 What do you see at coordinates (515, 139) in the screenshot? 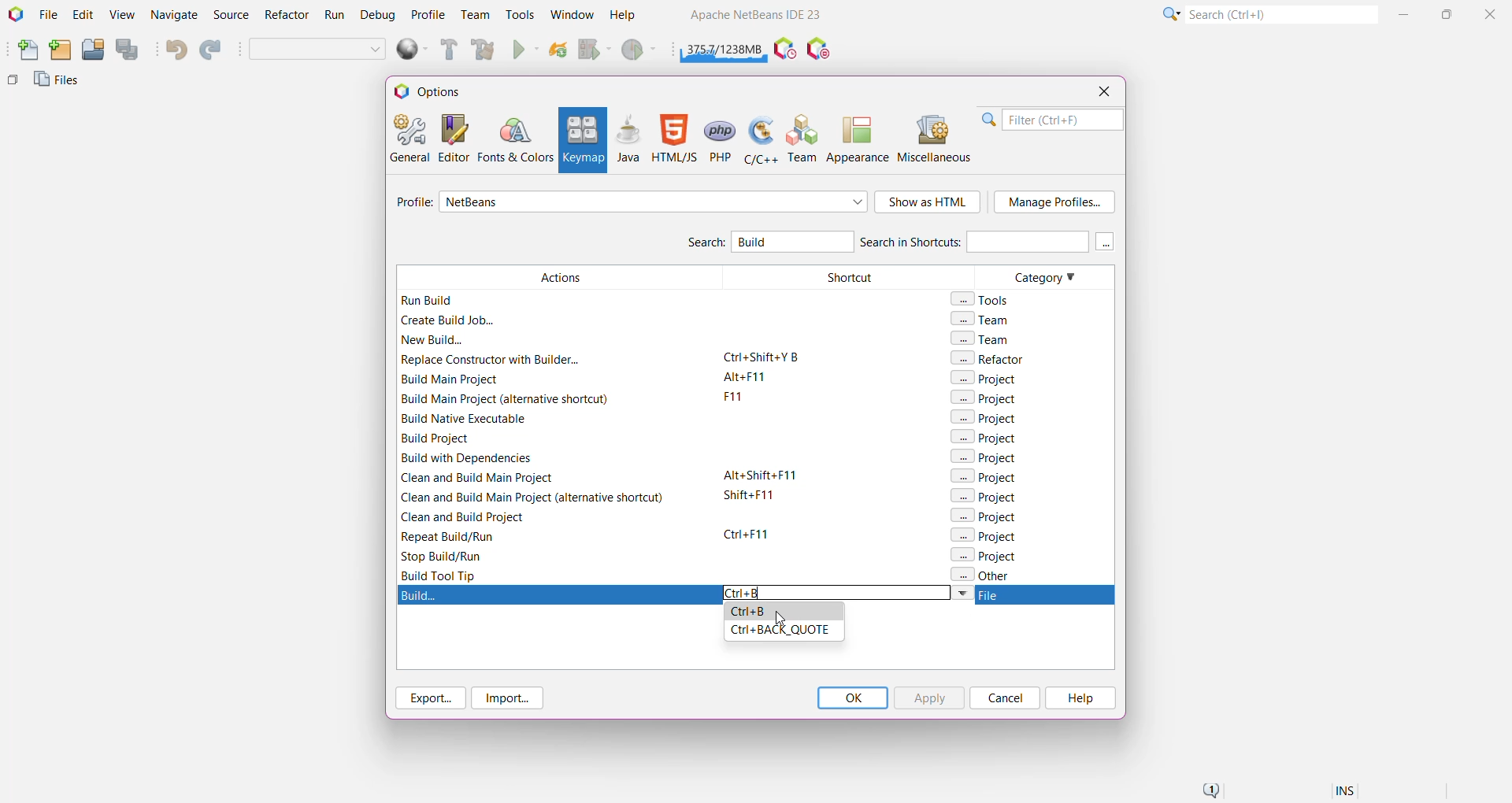
I see `Fonts and Colors` at bounding box center [515, 139].